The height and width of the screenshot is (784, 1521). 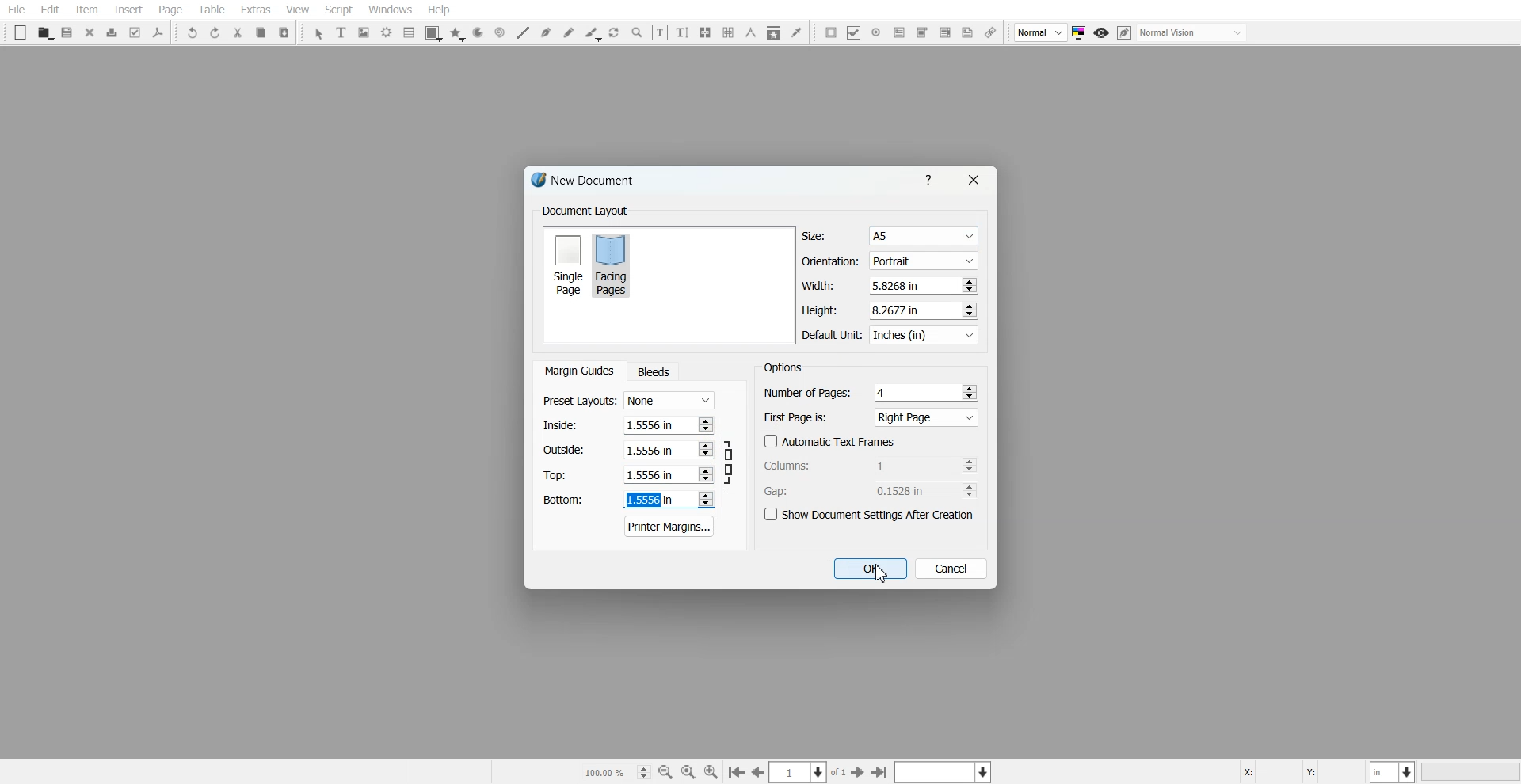 What do you see at coordinates (871, 417) in the screenshot?
I see `First Page is` at bounding box center [871, 417].